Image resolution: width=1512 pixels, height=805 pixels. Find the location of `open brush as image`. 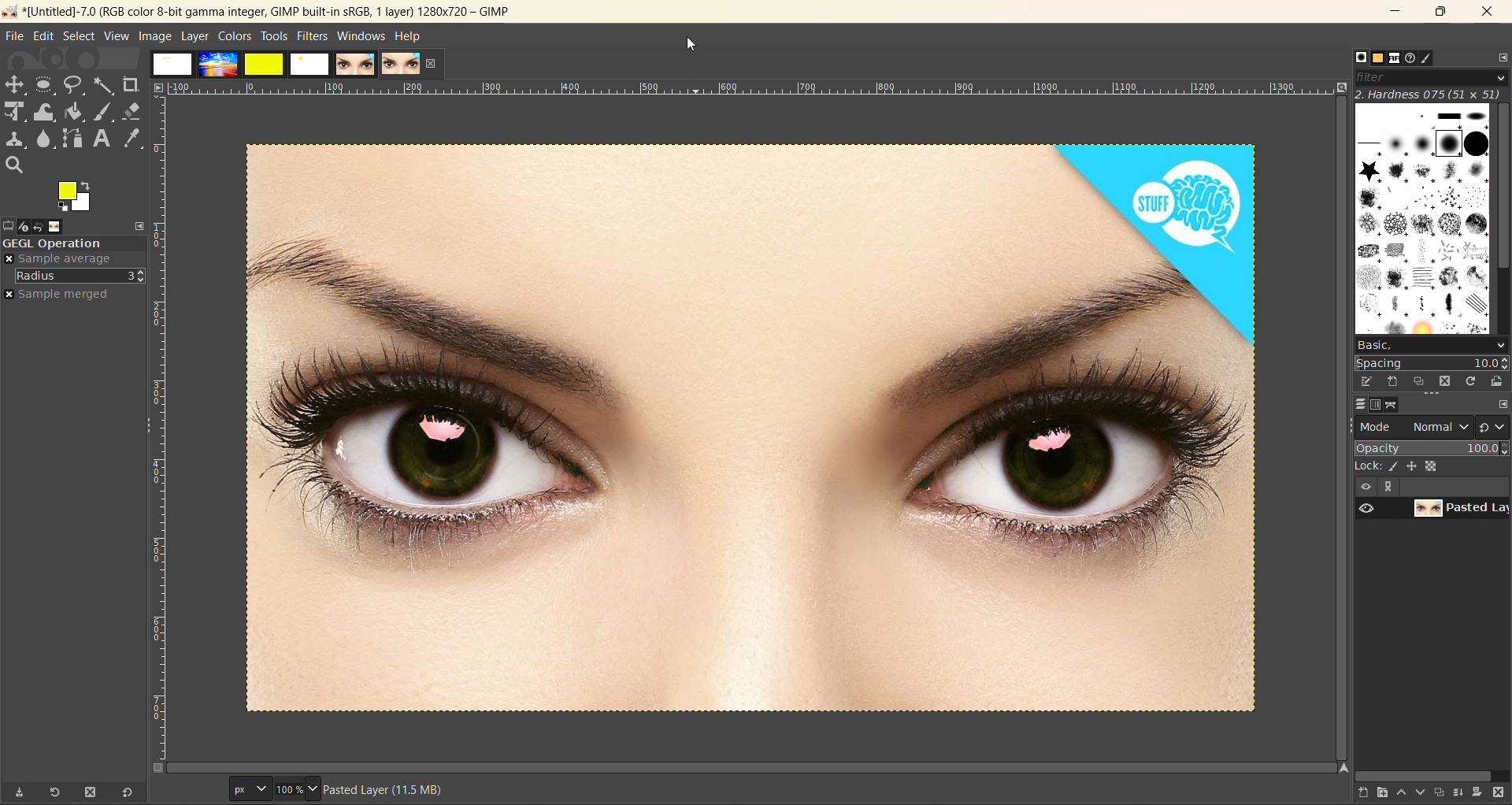

open brush as image is located at coordinates (1497, 383).